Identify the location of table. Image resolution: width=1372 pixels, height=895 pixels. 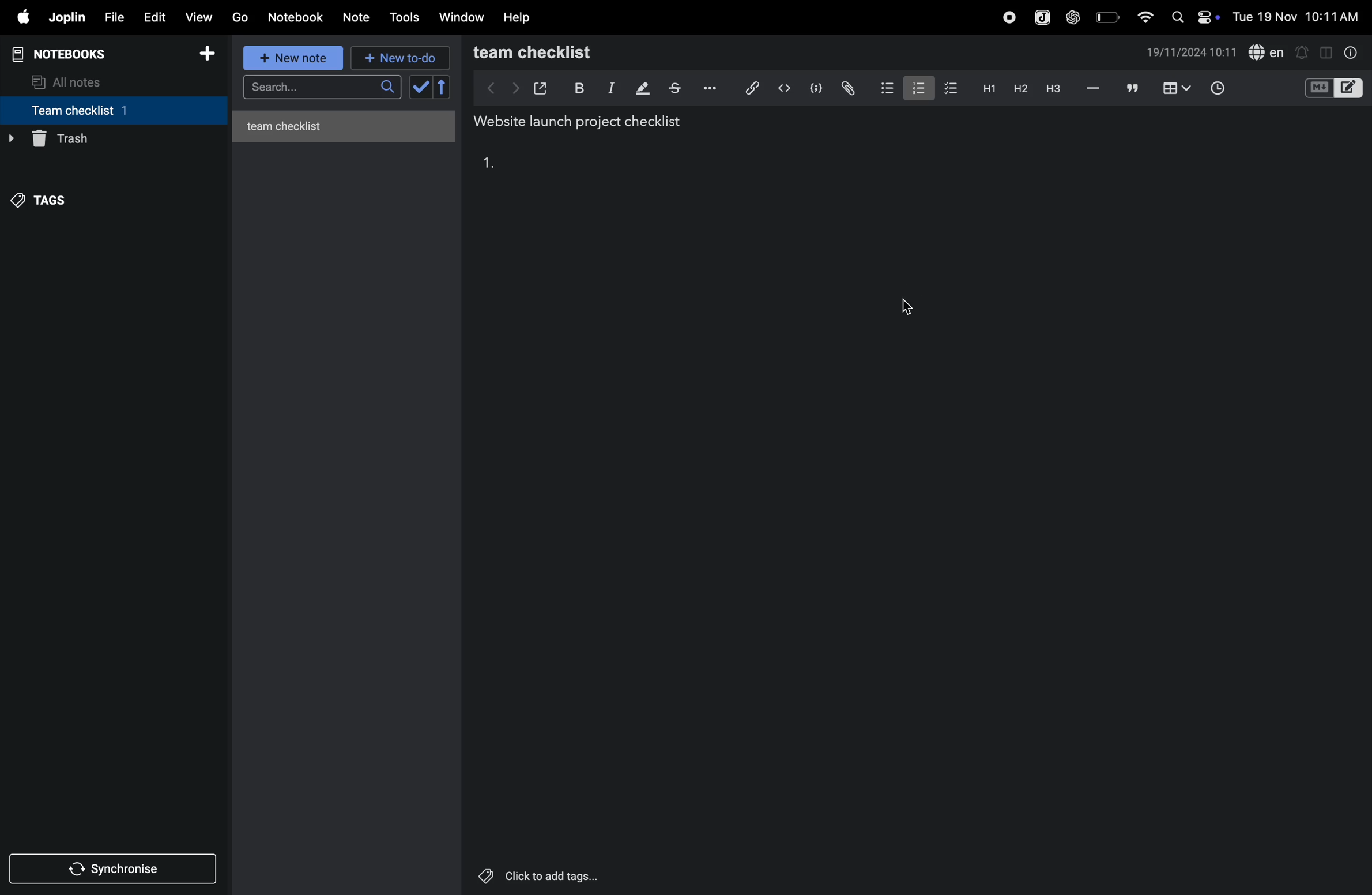
(1175, 88).